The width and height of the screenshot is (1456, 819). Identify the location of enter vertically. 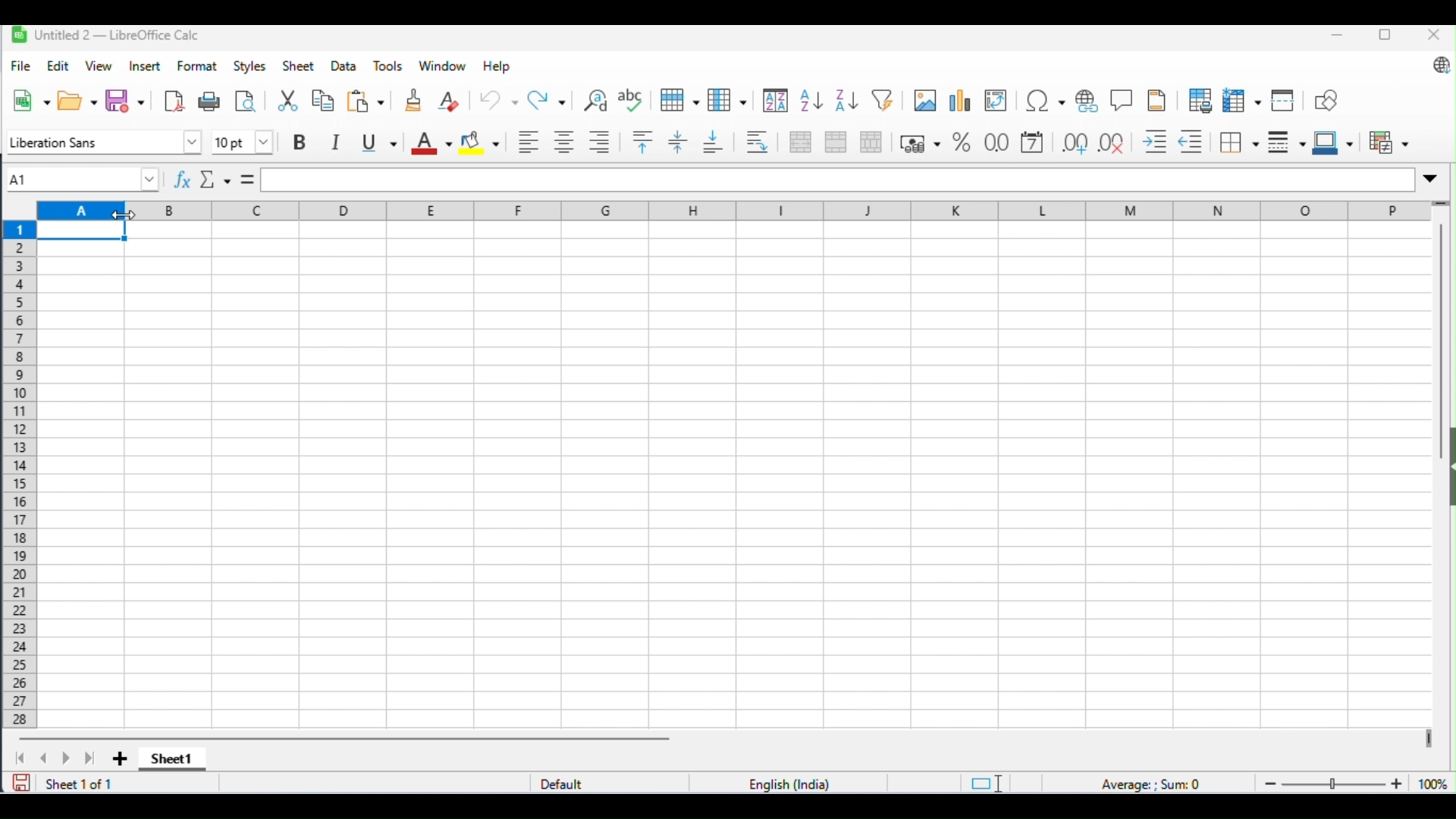
(679, 142).